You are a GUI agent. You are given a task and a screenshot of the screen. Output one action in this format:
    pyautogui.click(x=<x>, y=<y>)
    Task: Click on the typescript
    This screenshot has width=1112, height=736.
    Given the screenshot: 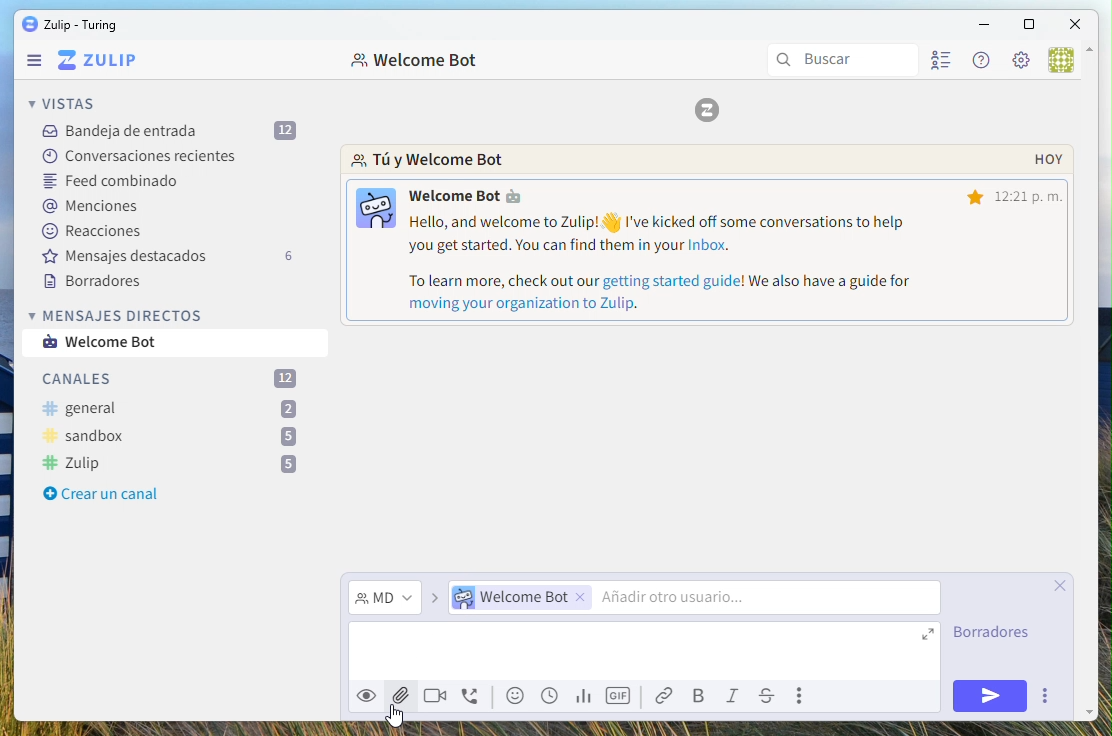 What is the action you would take?
    pyautogui.click(x=767, y=697)
    